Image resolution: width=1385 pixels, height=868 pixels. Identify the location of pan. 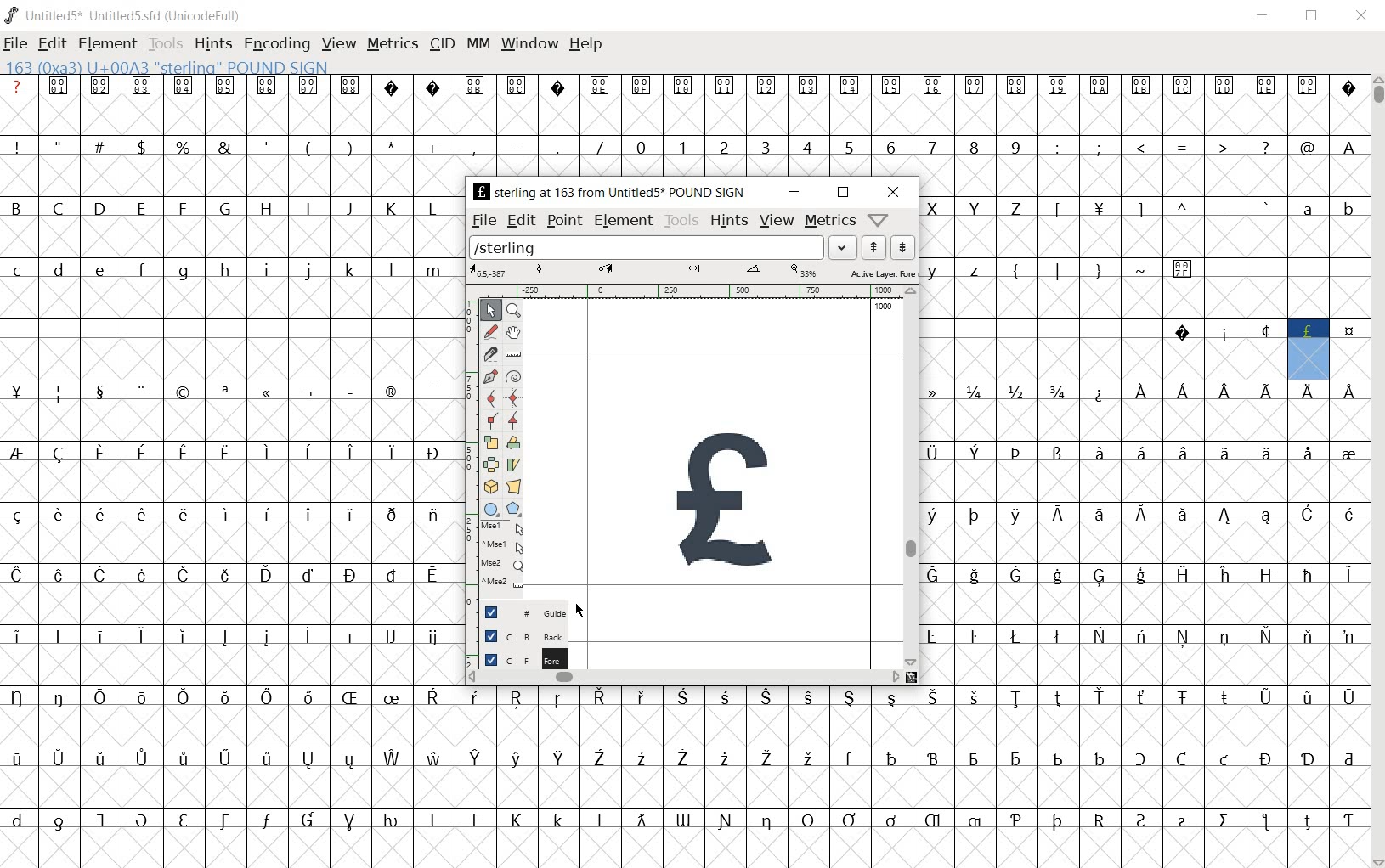
(517, 335).